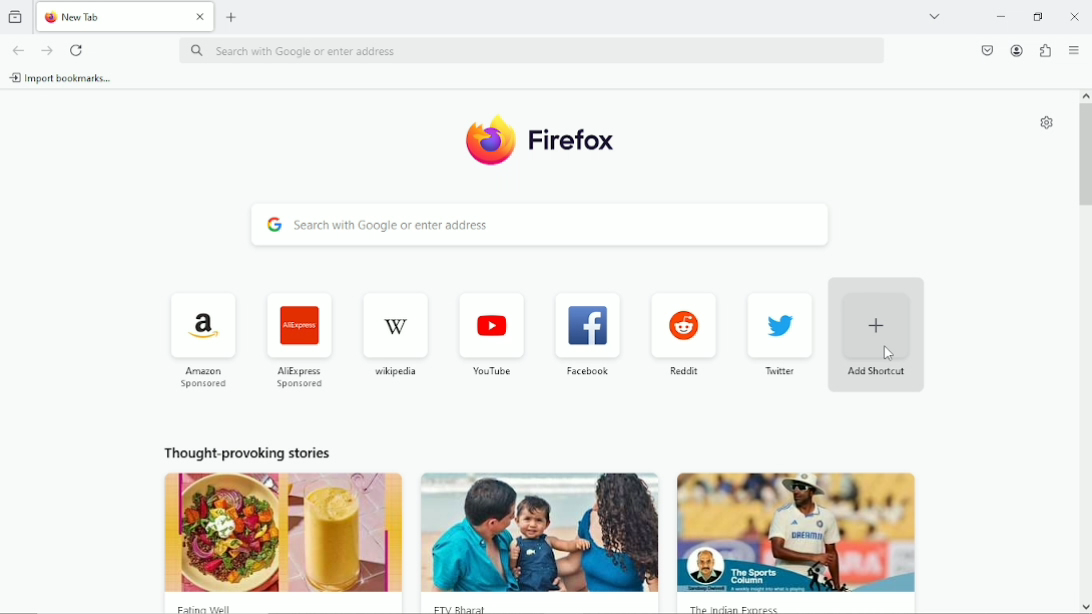 The width and height of the screenshot is (1092, 614). I want to click on Close Tab, so click(201, 17).